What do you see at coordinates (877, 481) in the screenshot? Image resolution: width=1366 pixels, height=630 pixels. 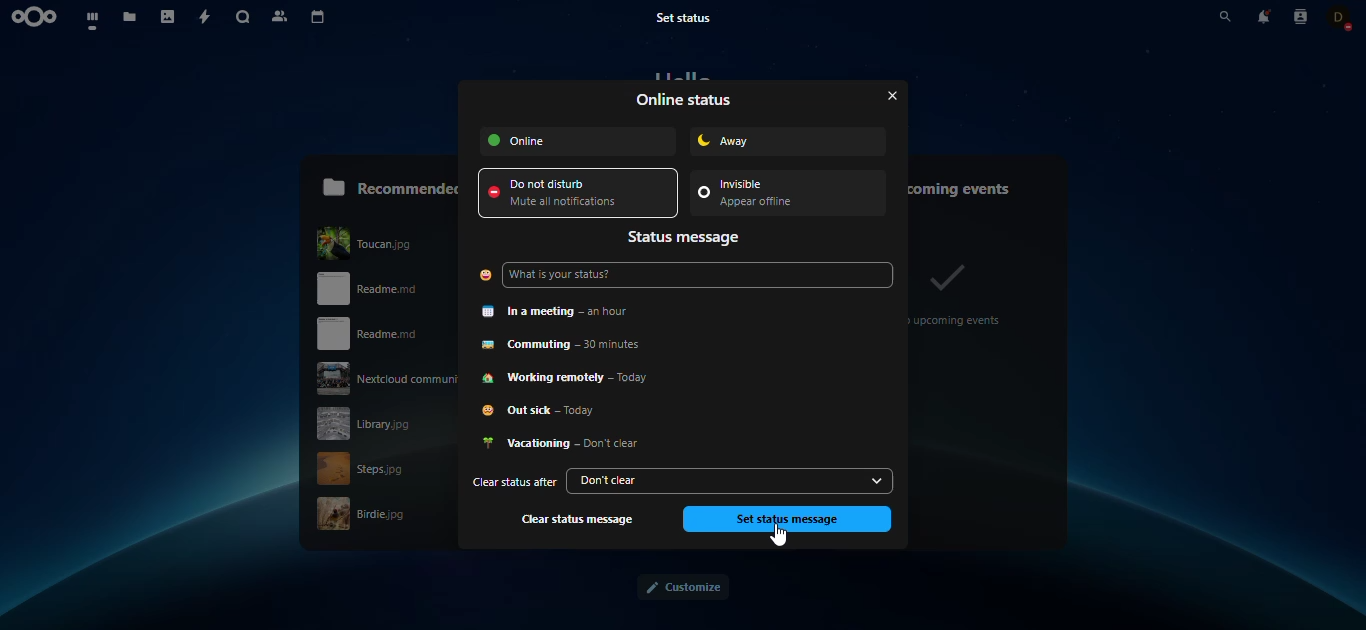 I see `drop down` at bounding box center [877, 481].